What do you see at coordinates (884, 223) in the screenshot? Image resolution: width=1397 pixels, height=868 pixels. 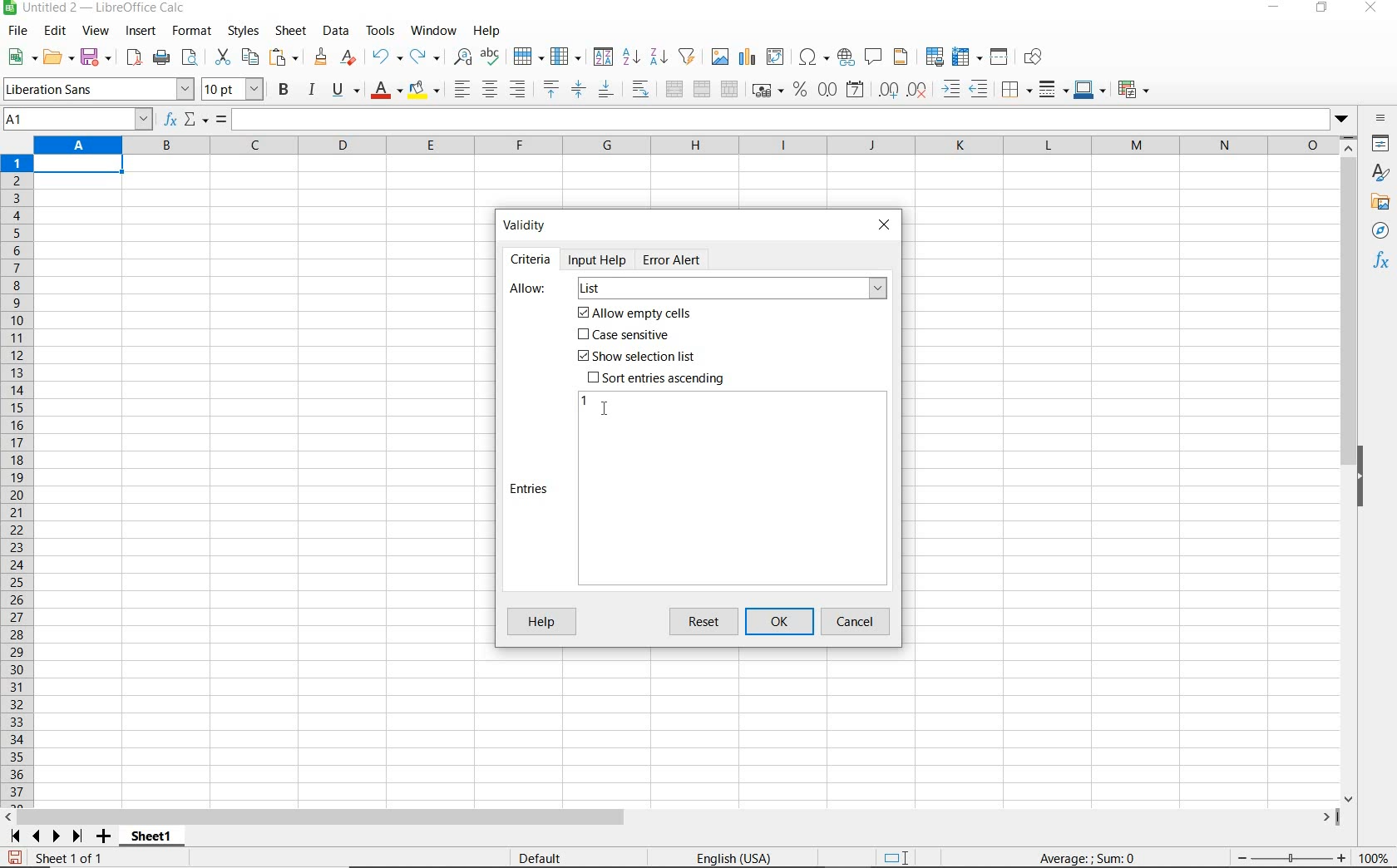 I see `close` at bounding box center [884, 223].